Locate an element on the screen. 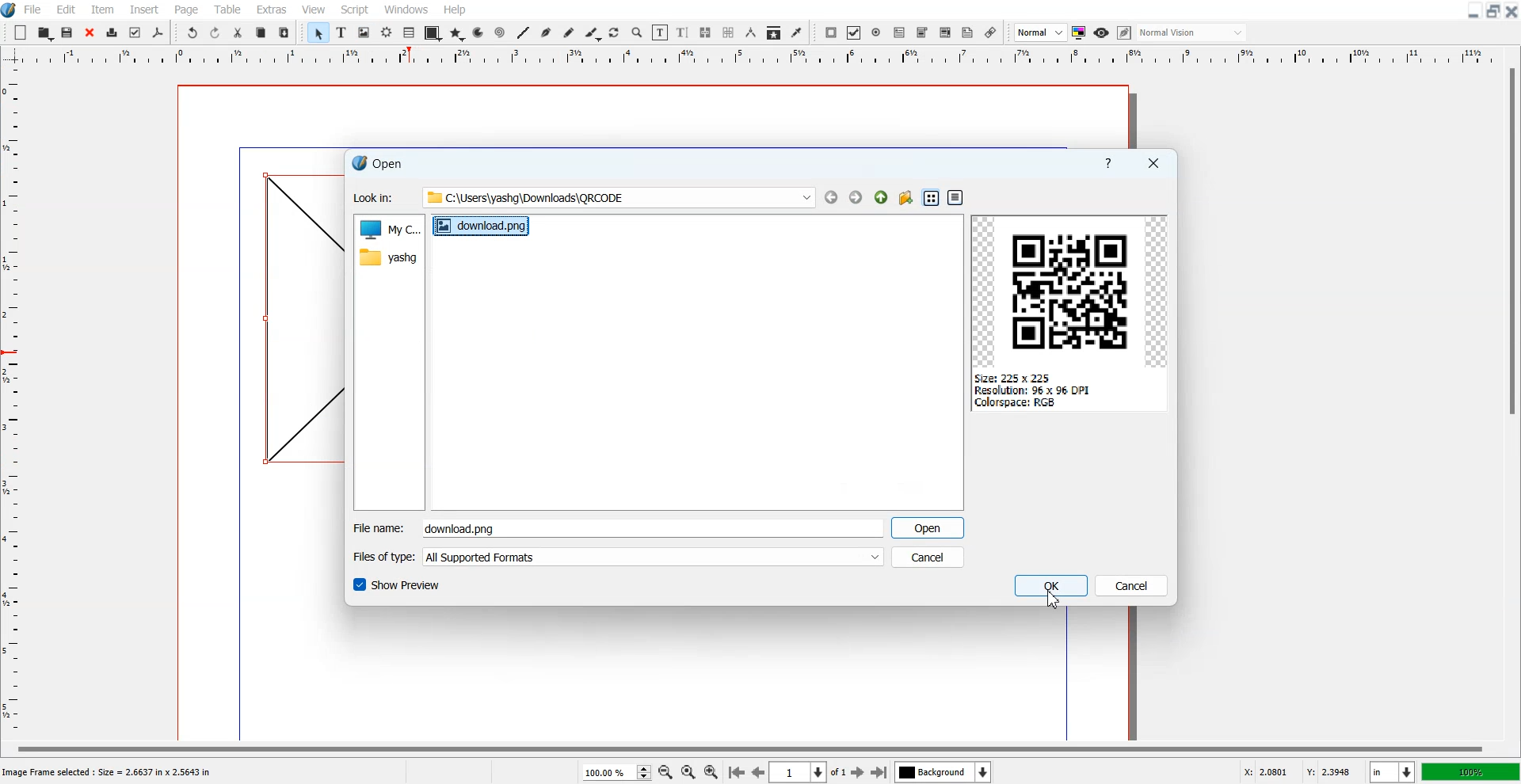 The height and width of the screenshot is (784, 1521). Table is located at coordinates (409, 33).